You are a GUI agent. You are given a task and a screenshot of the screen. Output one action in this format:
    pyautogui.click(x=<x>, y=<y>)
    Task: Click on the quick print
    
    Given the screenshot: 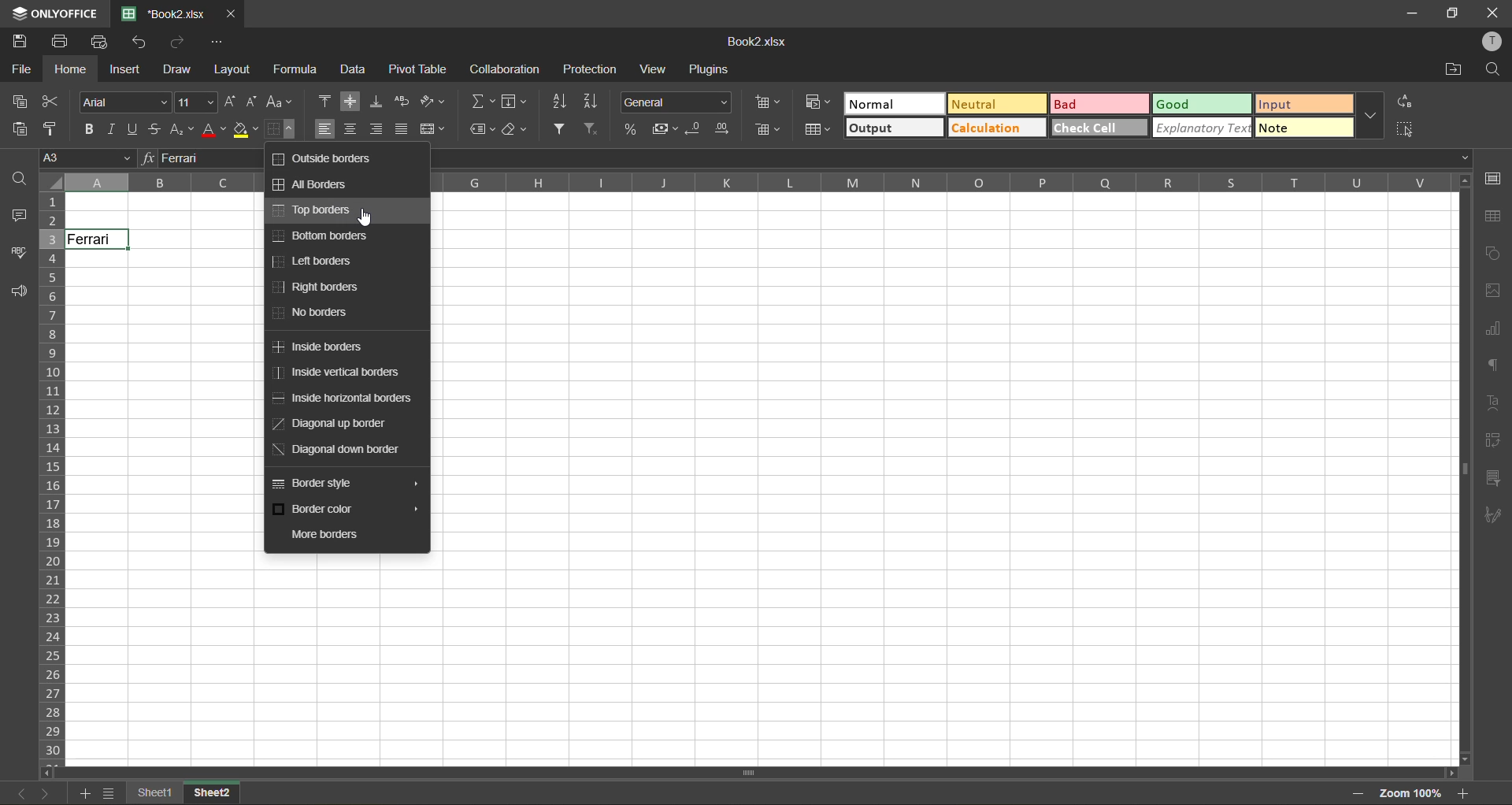 What is the action you would take?
    pyautogui.click(x=101, y=42)
    